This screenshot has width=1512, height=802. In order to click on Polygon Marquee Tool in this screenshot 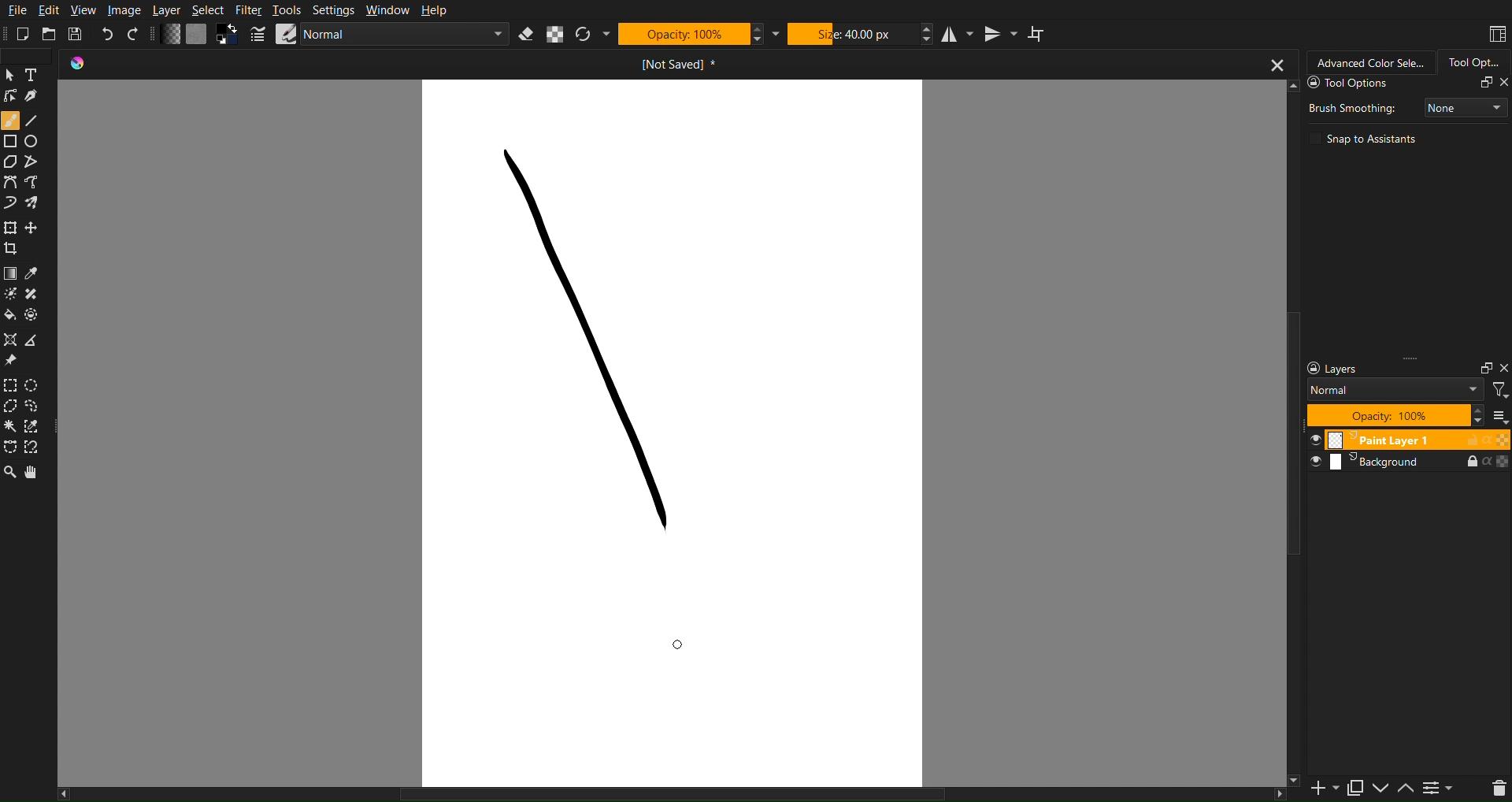, I will do `click(13, 408)`.